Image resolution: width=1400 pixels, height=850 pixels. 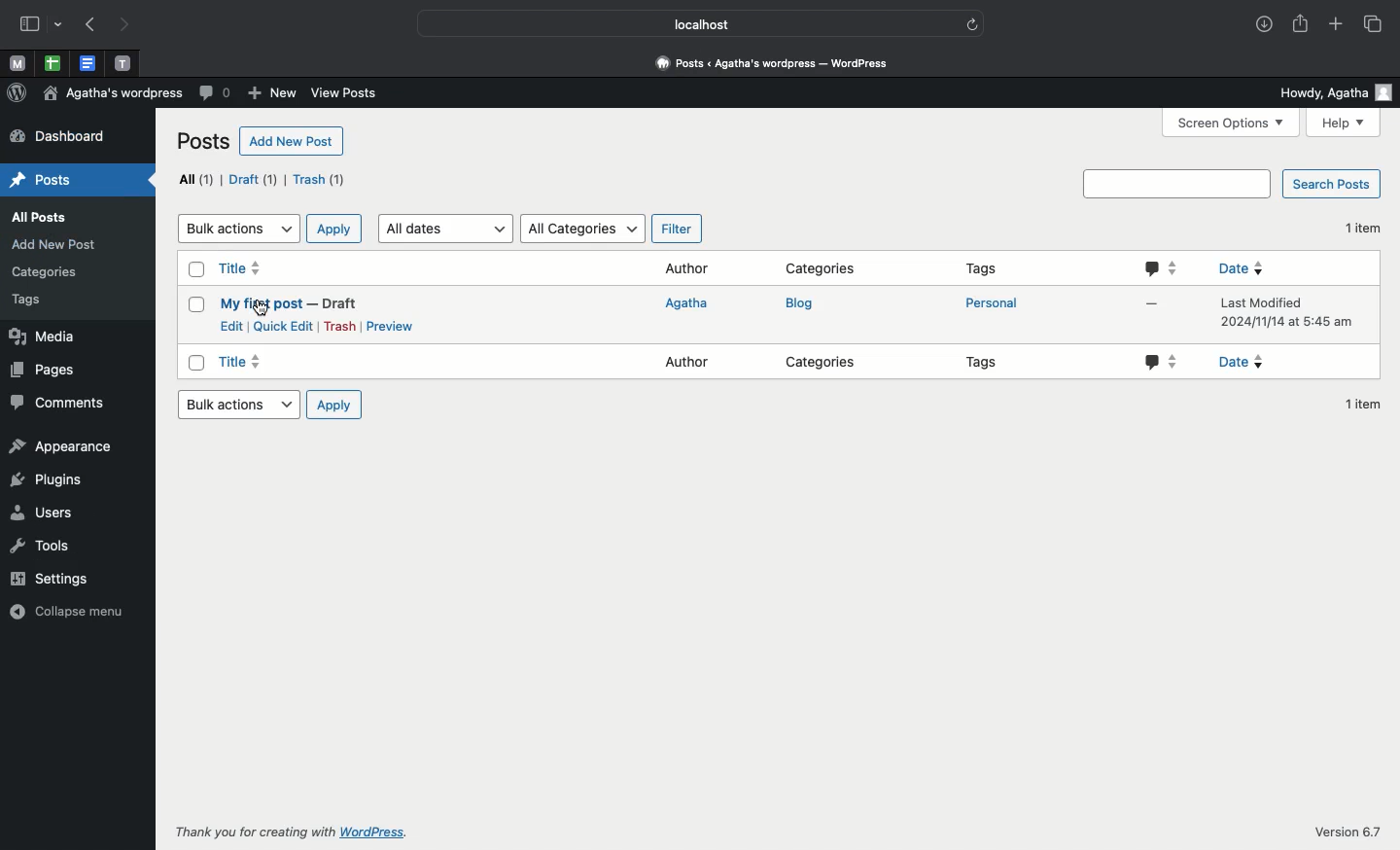 I want to click on Appearance, so click(x=62, y=448).